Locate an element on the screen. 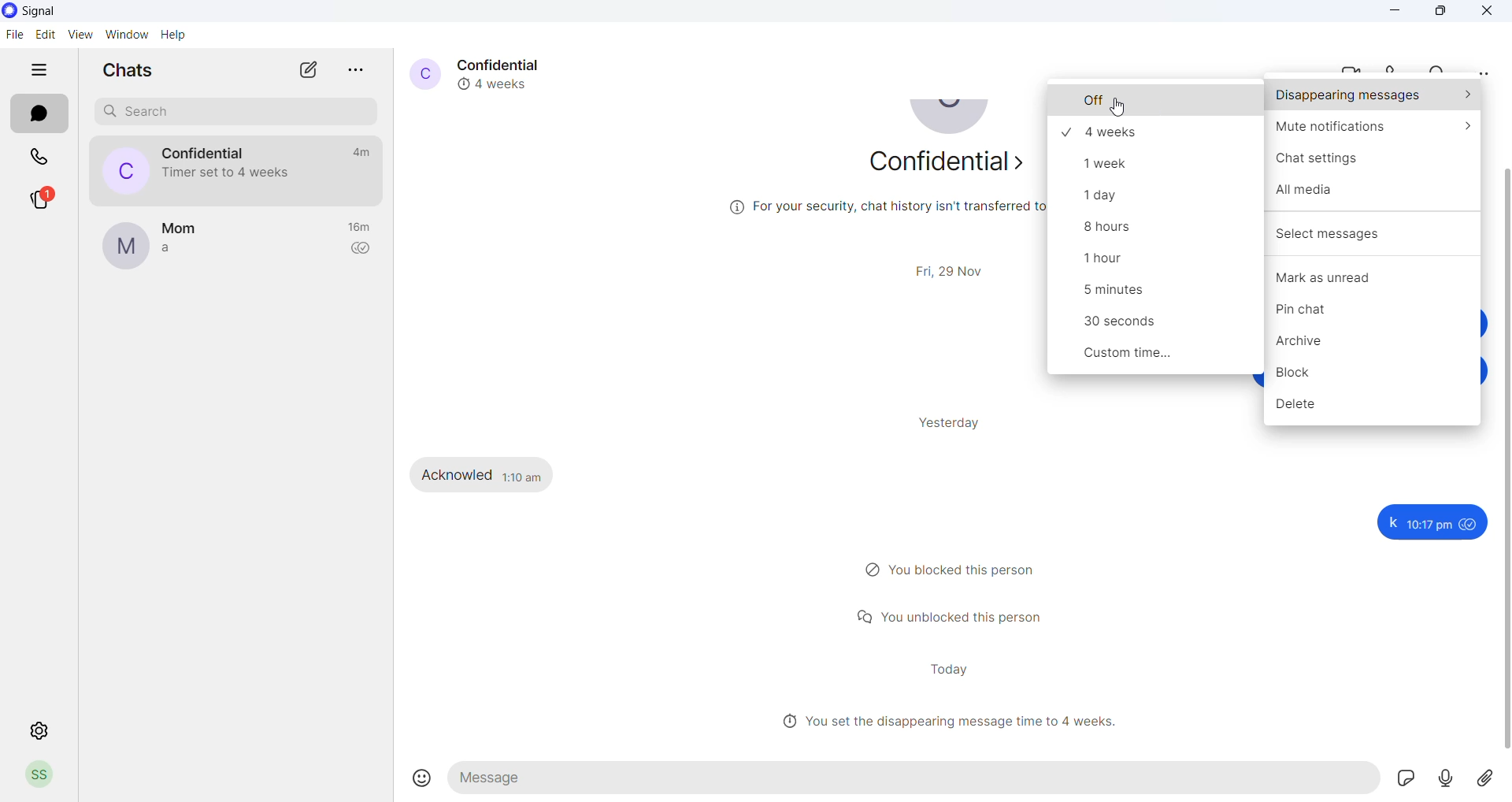 This screenshot has width=1512, height=802. select messages is located at coordinates (1374, 230).